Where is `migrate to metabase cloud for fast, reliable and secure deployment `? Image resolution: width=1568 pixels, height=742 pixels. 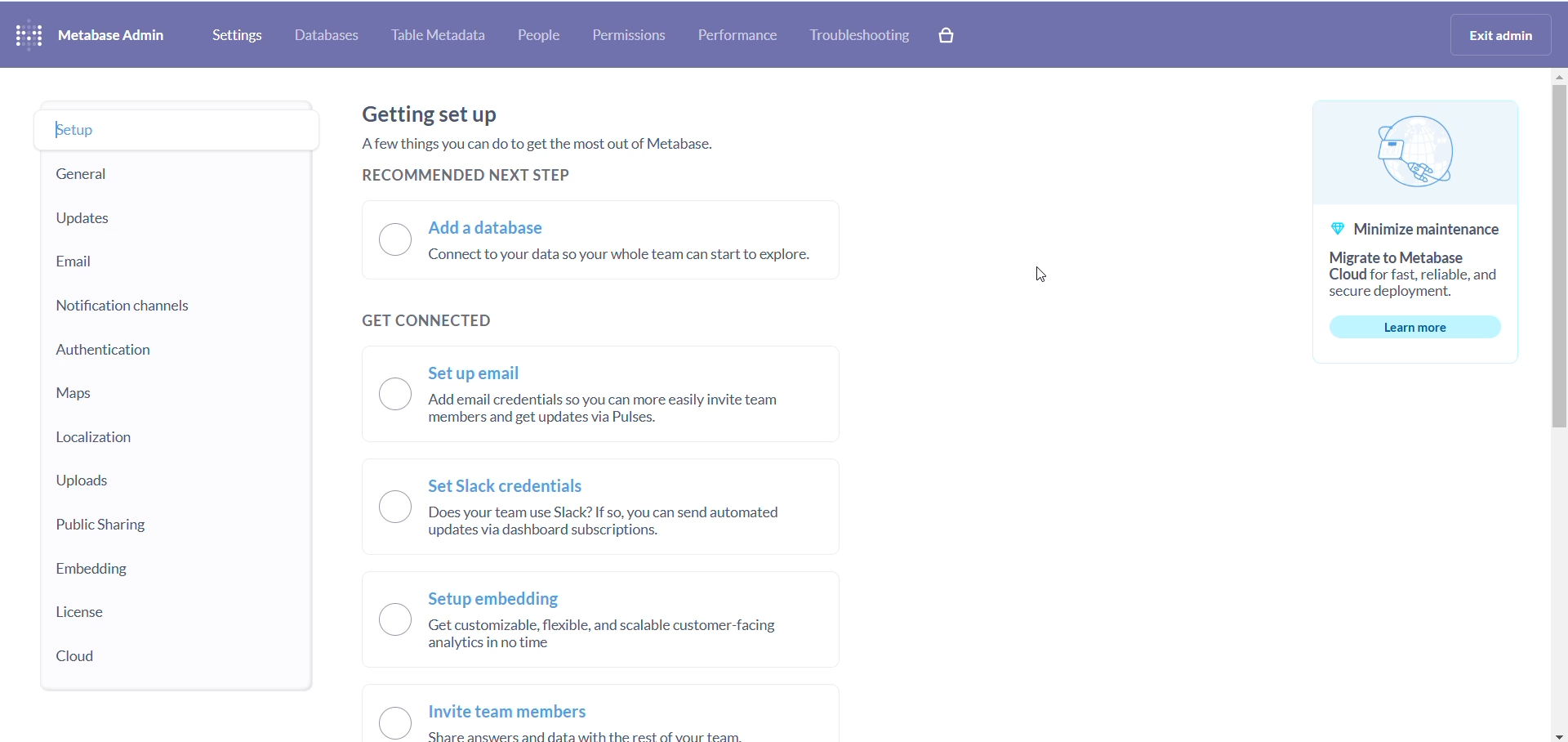 migrate to metabase cloud for fast, reliable and secure deployment  is located at coordinates (1429, 275).